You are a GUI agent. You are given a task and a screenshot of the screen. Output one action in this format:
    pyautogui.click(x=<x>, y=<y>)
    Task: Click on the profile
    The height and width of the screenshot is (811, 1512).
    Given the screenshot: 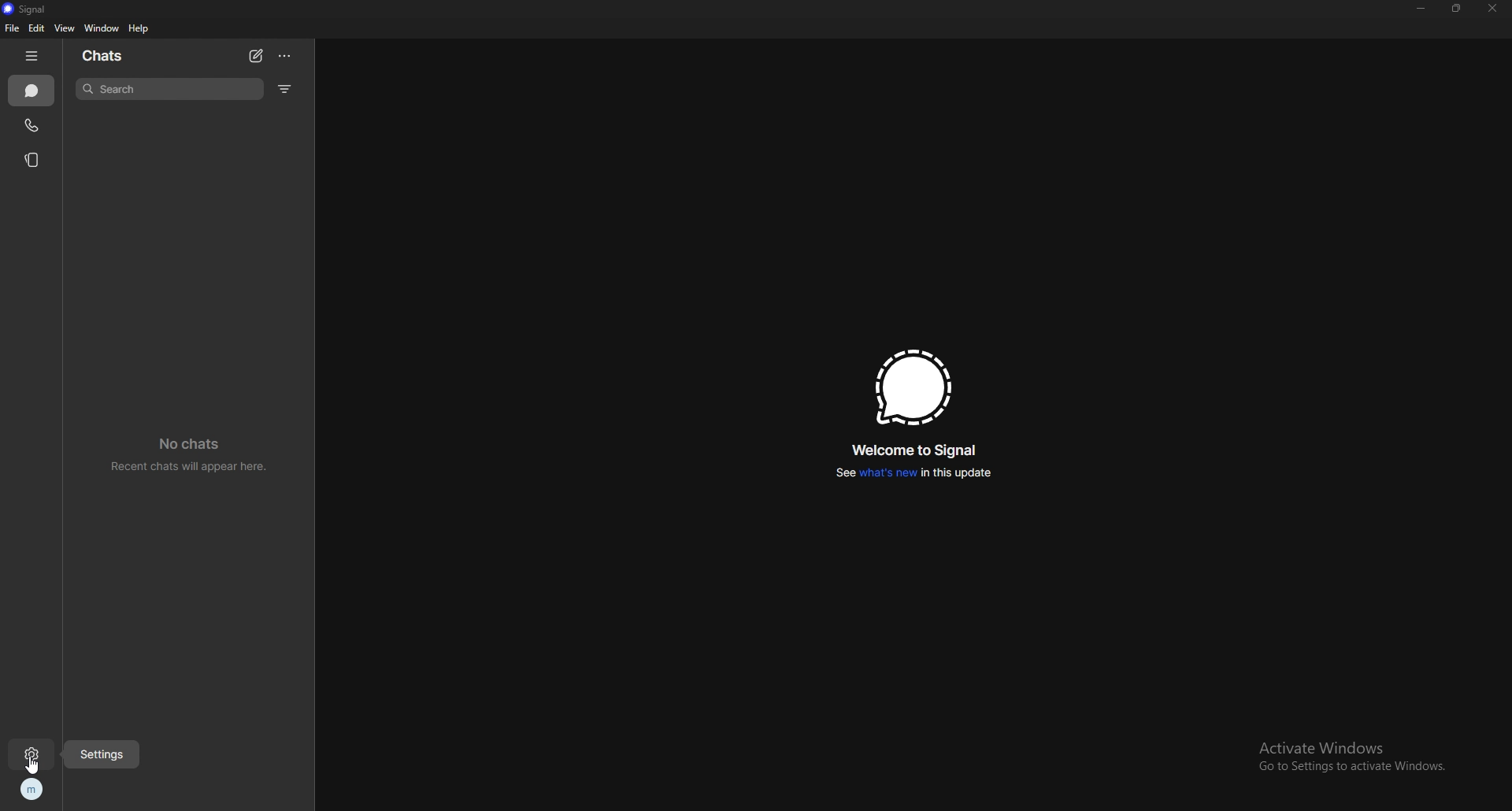 What is the action you would take?
    pyautogui.click(x=34, y=789)
    